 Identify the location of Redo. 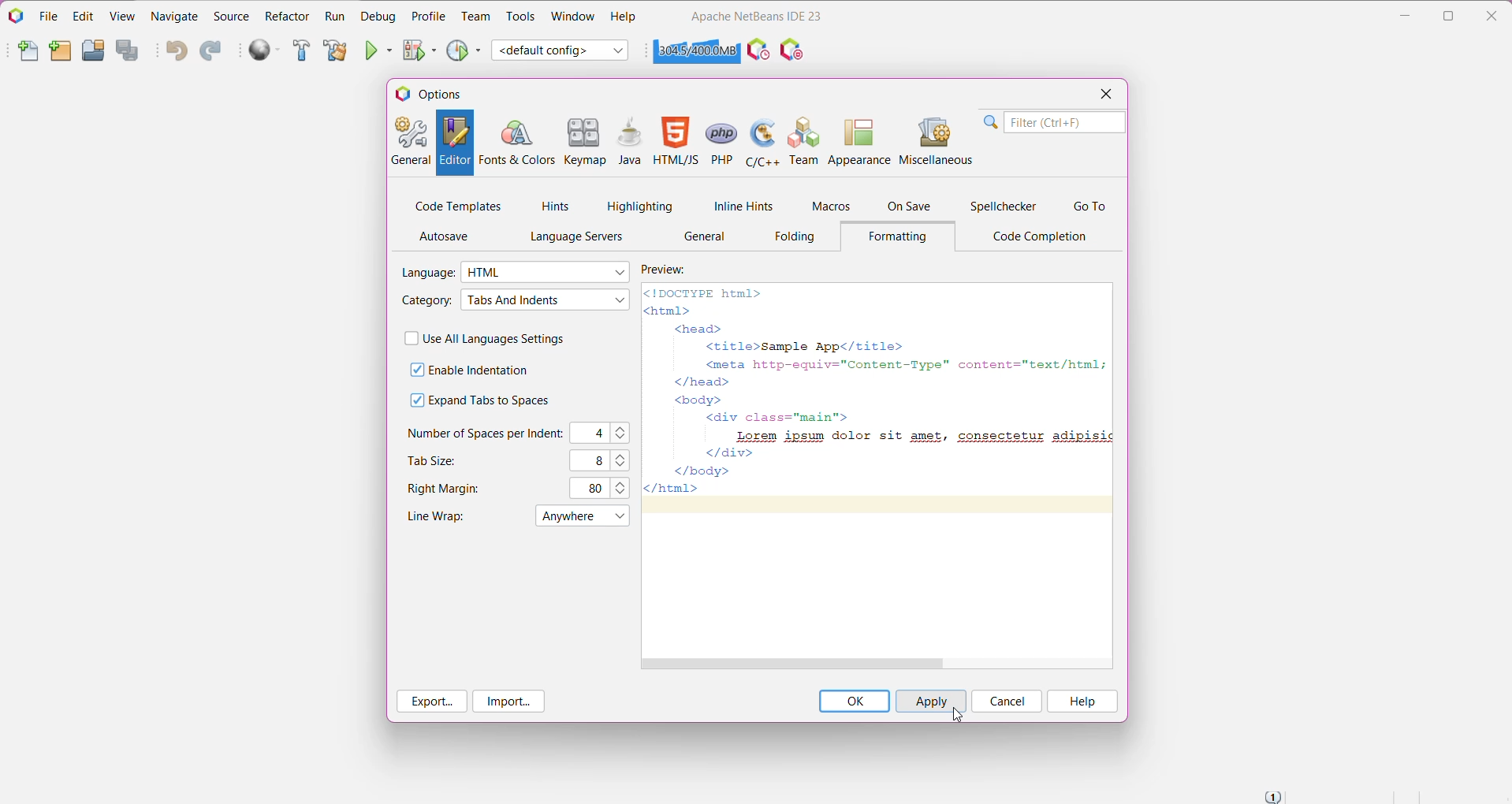
(210, 52).